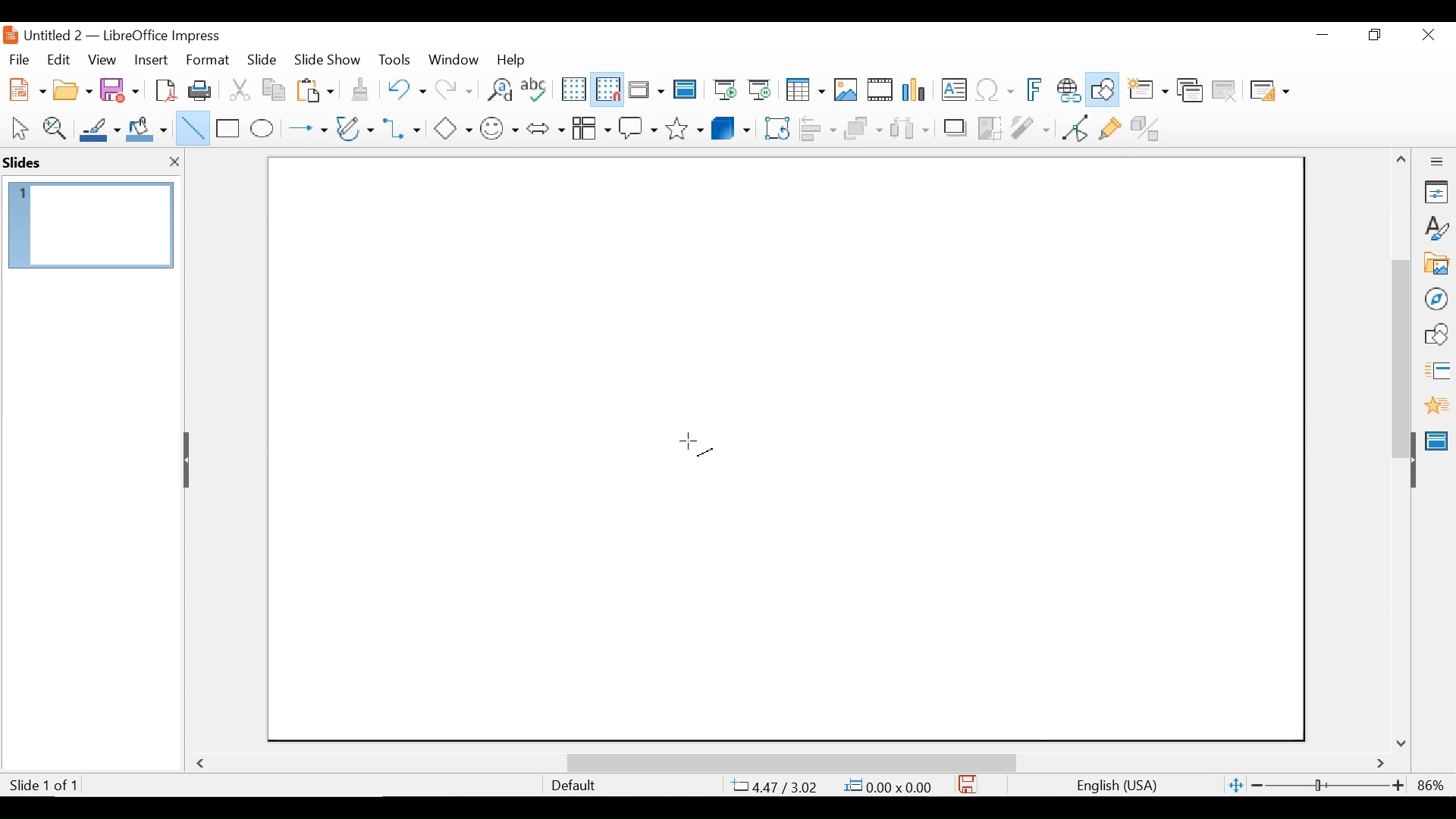  What do you see at coordinates (995, 91) in the screenshot?
I see `Insert Special Characters` at bounding box center [995, 91].